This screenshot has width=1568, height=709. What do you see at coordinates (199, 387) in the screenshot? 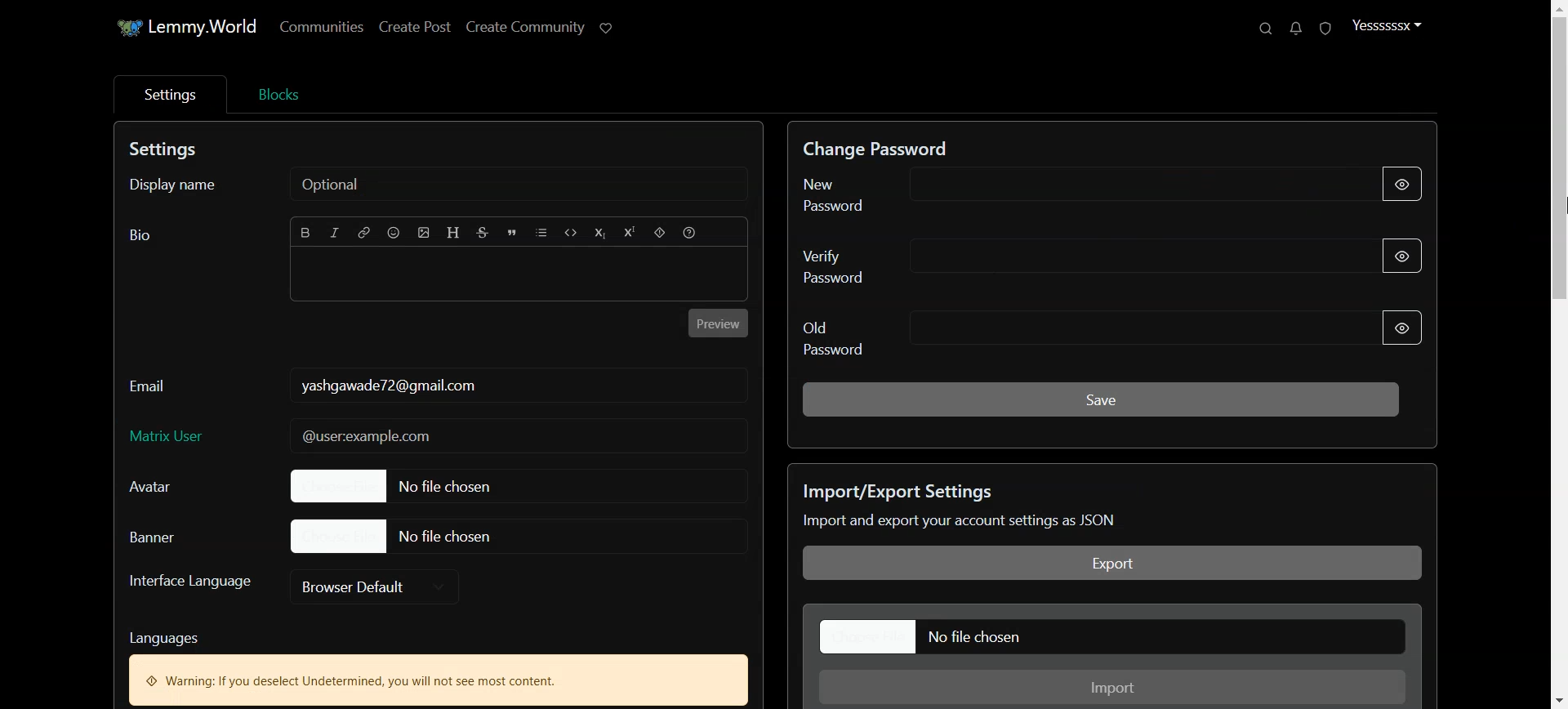
I see `Email` at bounding box center [199, 387].